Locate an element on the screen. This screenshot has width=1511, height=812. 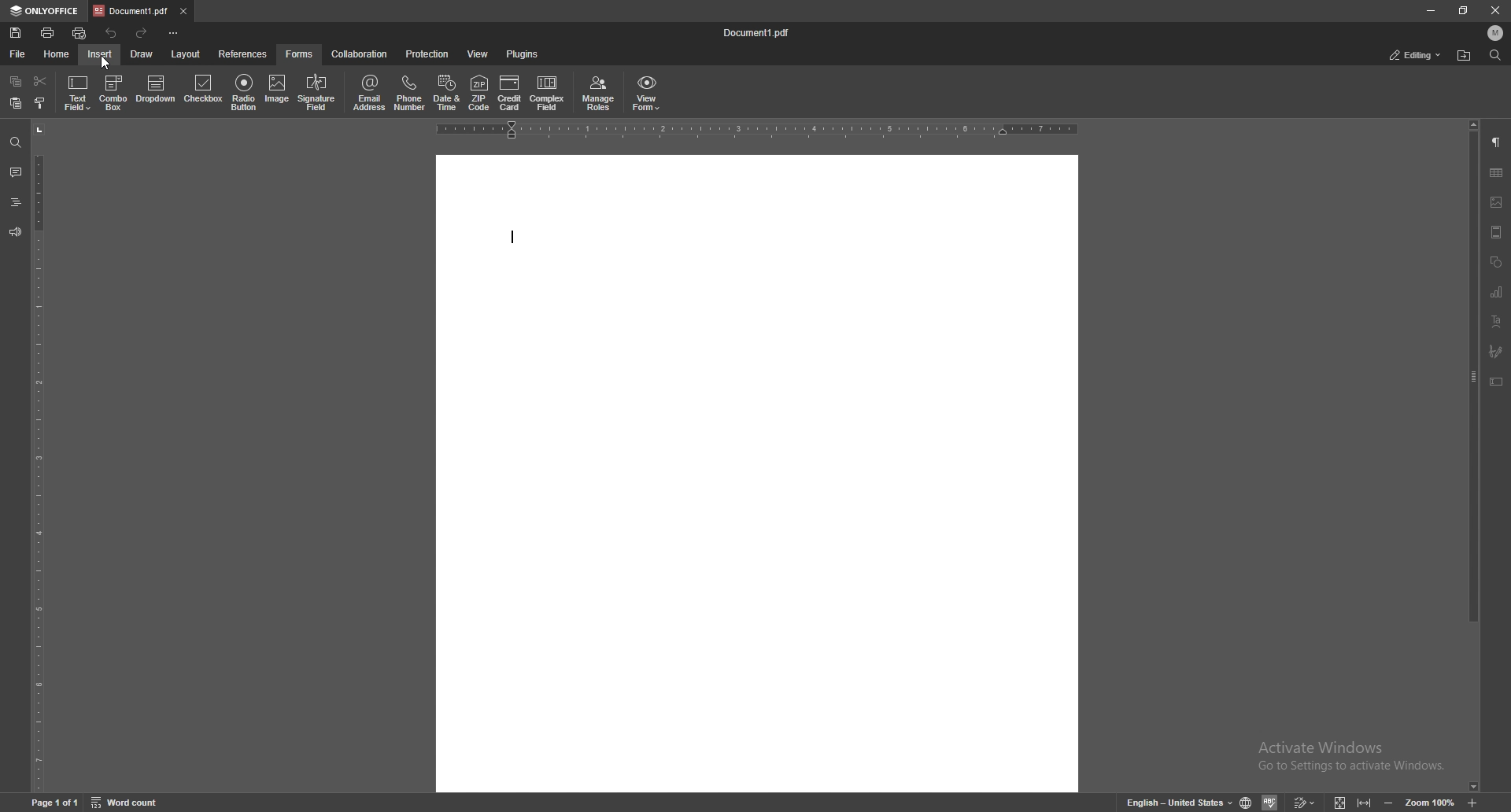
find is located at coordinates (14, 143).